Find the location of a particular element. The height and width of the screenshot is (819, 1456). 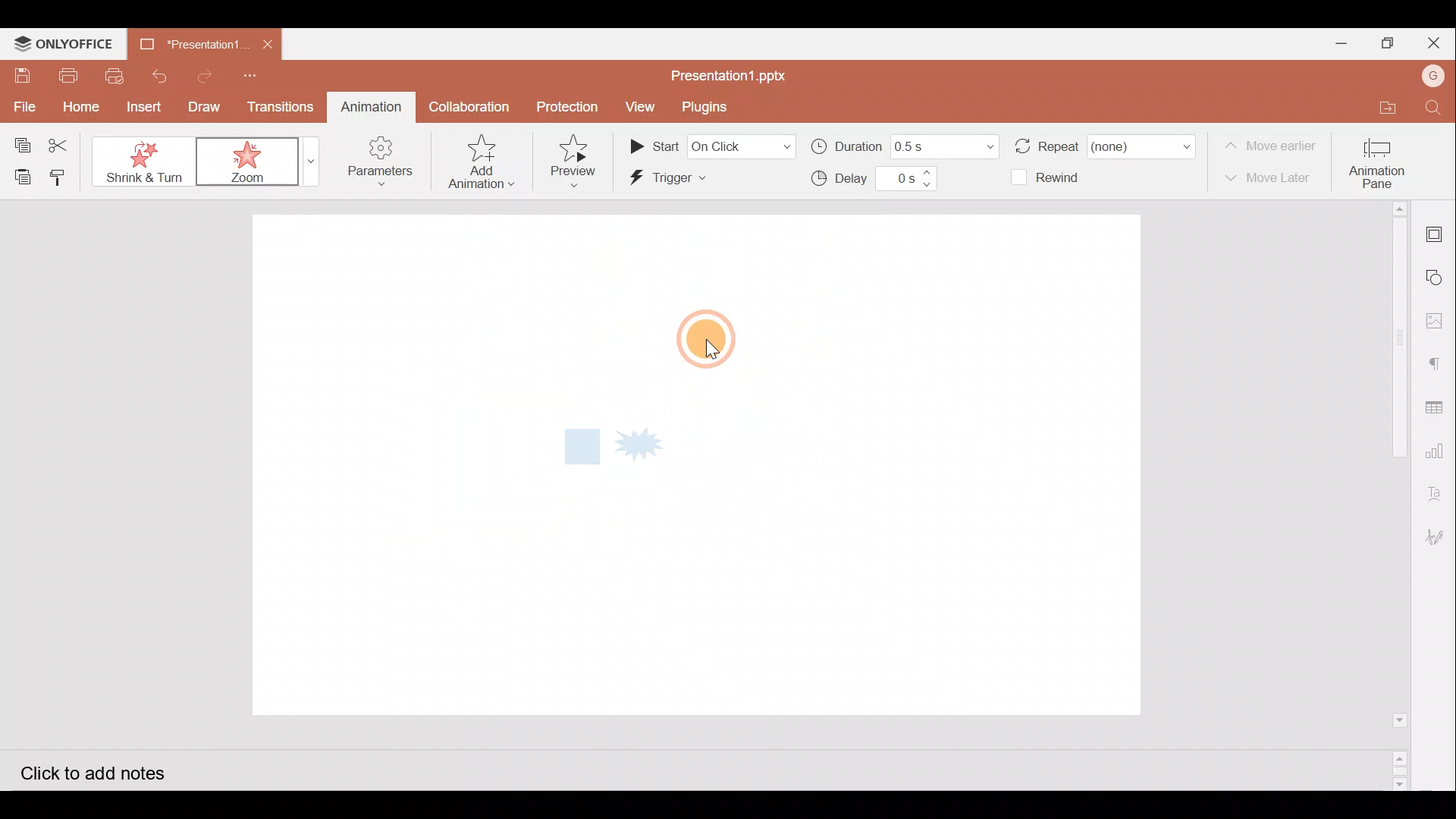

Find is located at coordinates (1433, 109).